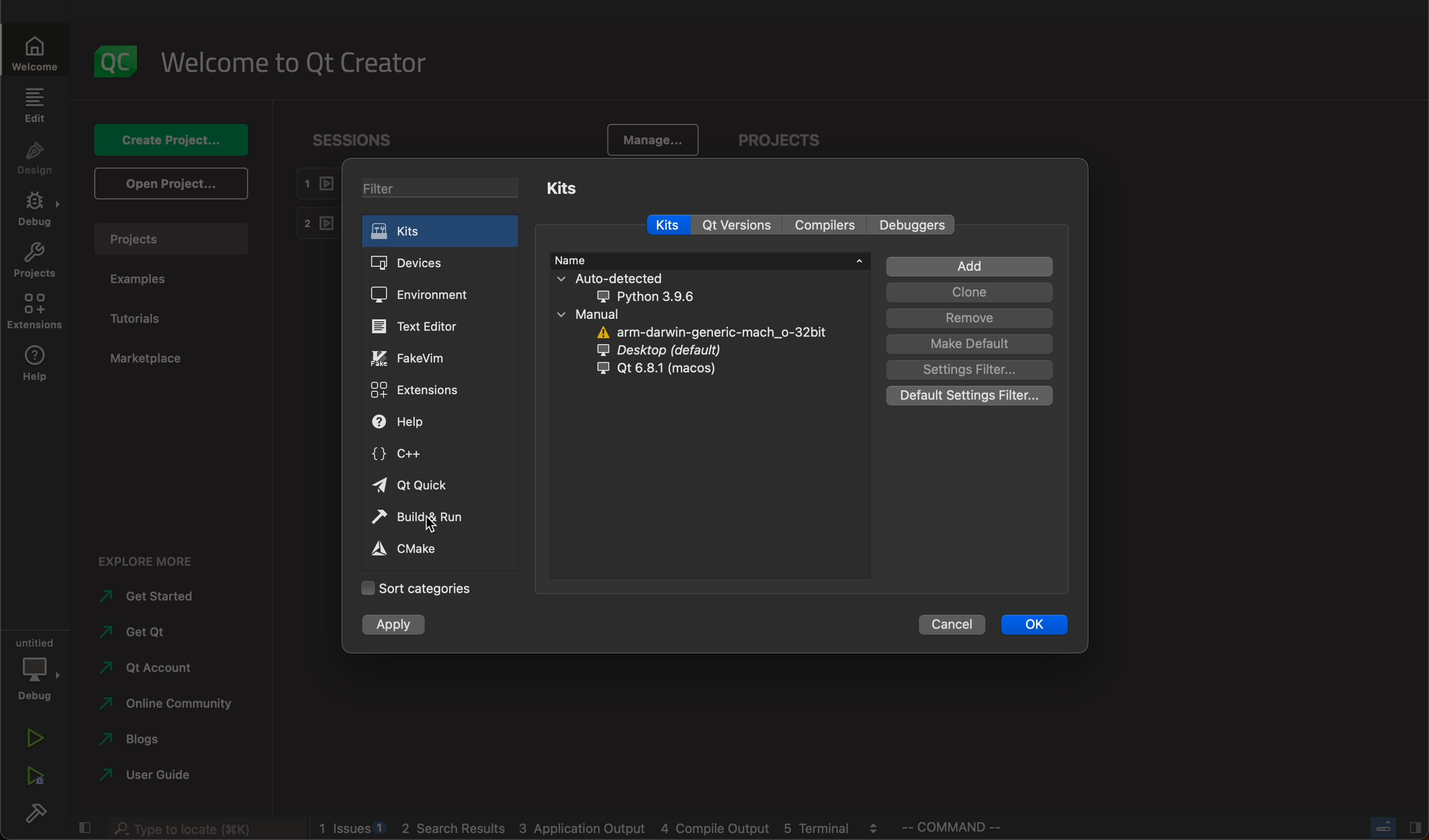  What do you see at coordinates (151, 741) in the screenshot?
I see `blogs` at bounding box center [151, 741].